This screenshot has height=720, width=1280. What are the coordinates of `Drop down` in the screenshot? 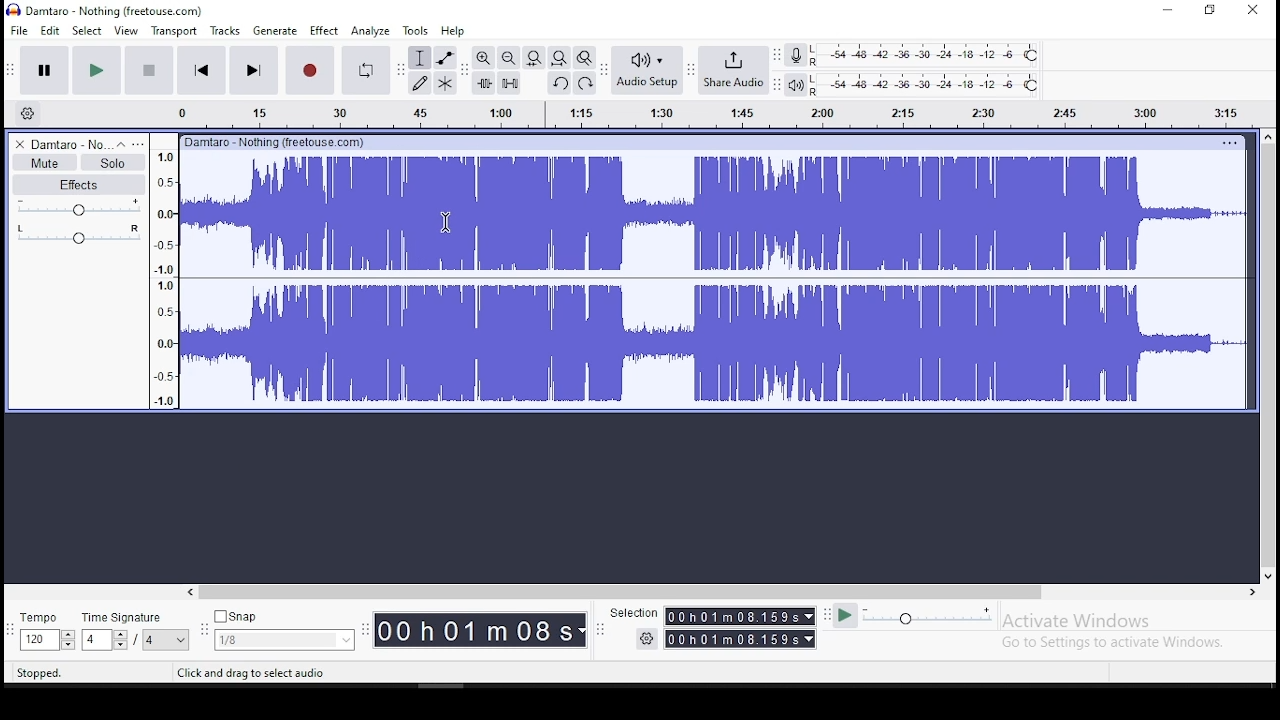 It's located at (807, 615).